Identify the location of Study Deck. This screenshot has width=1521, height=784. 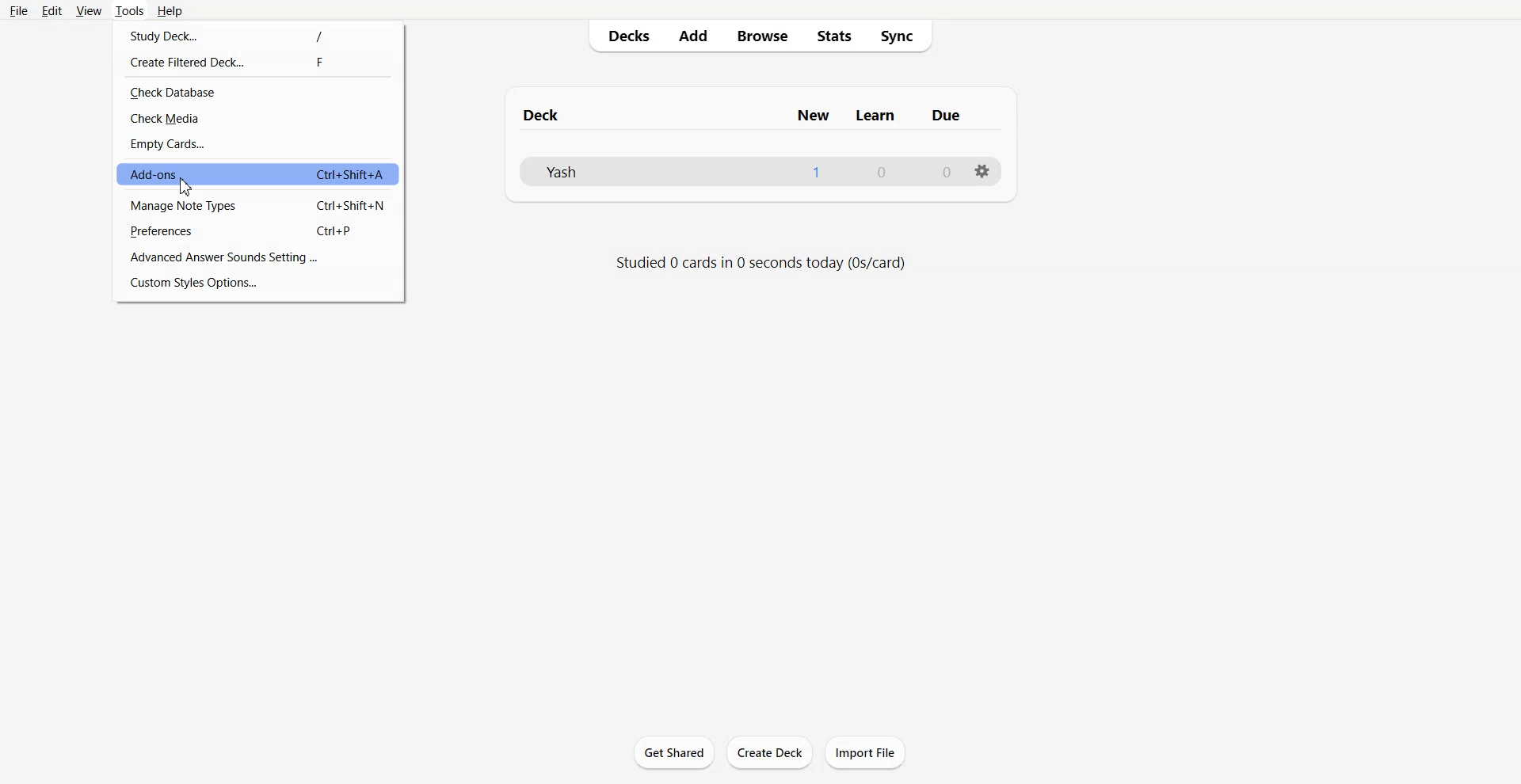
(260, 35).